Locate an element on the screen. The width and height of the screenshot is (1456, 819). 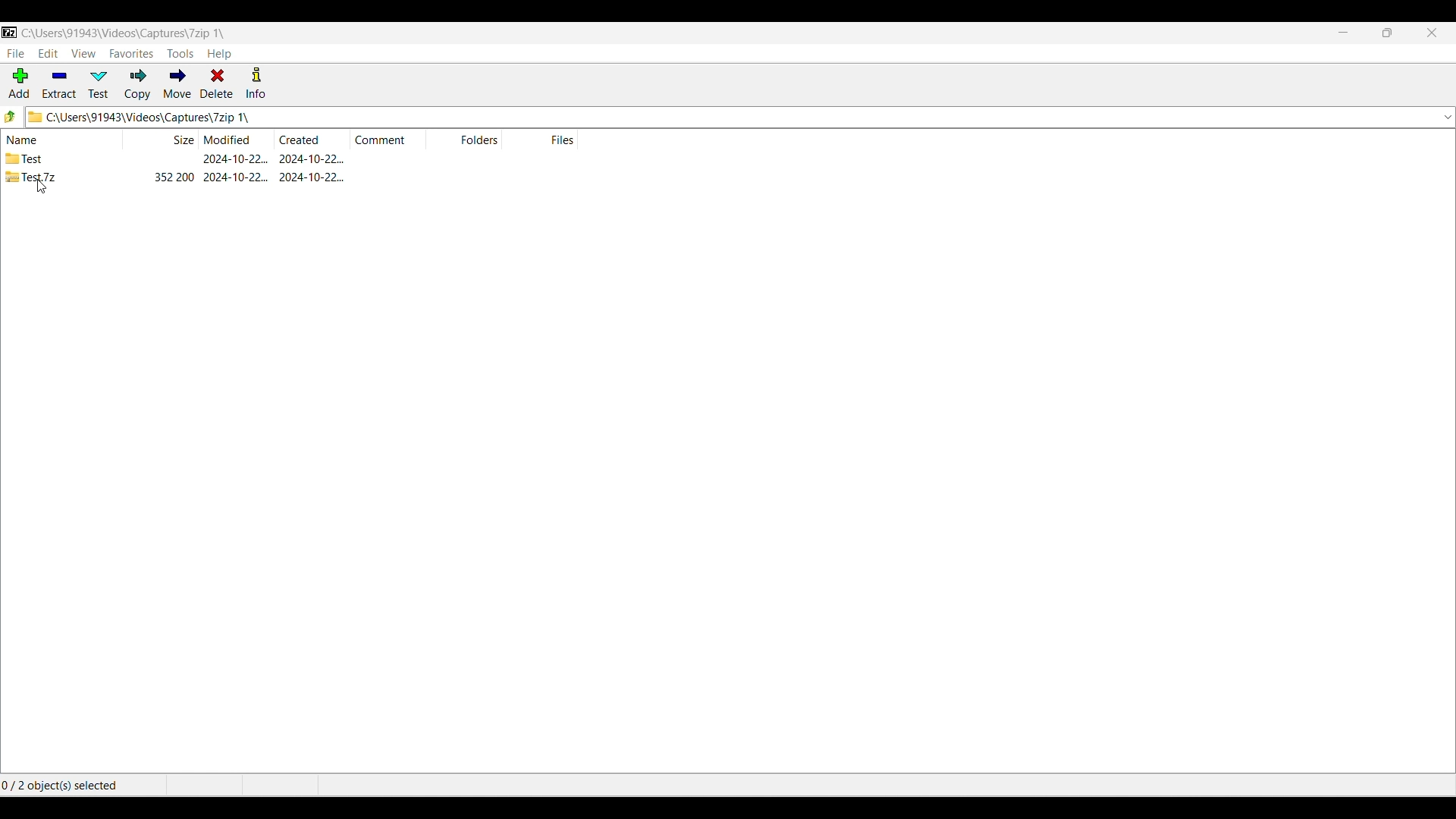
View is located at coordinates (83, 53).